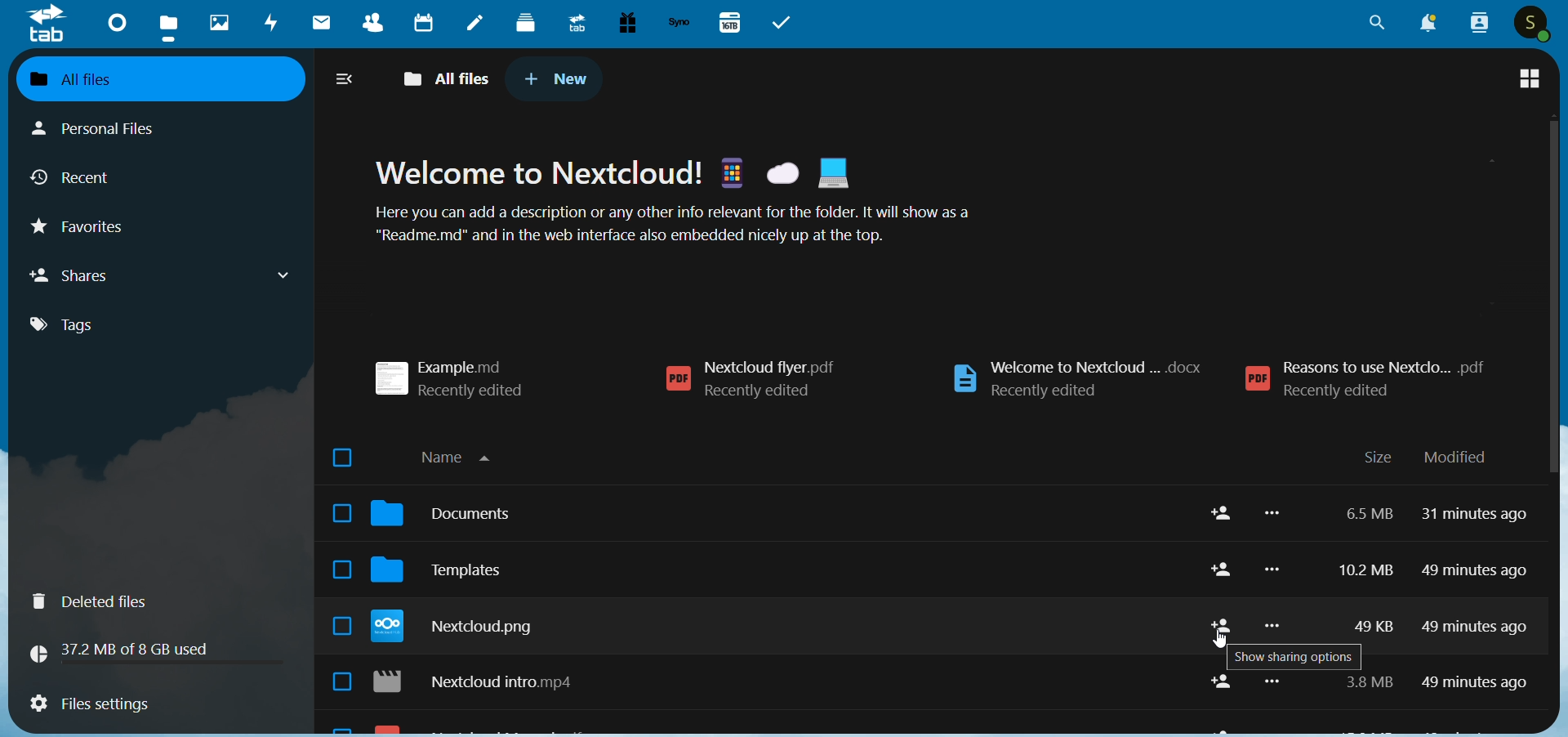 The width and height of the screenshot is (1568, 737). Describe the element at coordinates (452, 575) in the screenshot. I see `templates` at that location.